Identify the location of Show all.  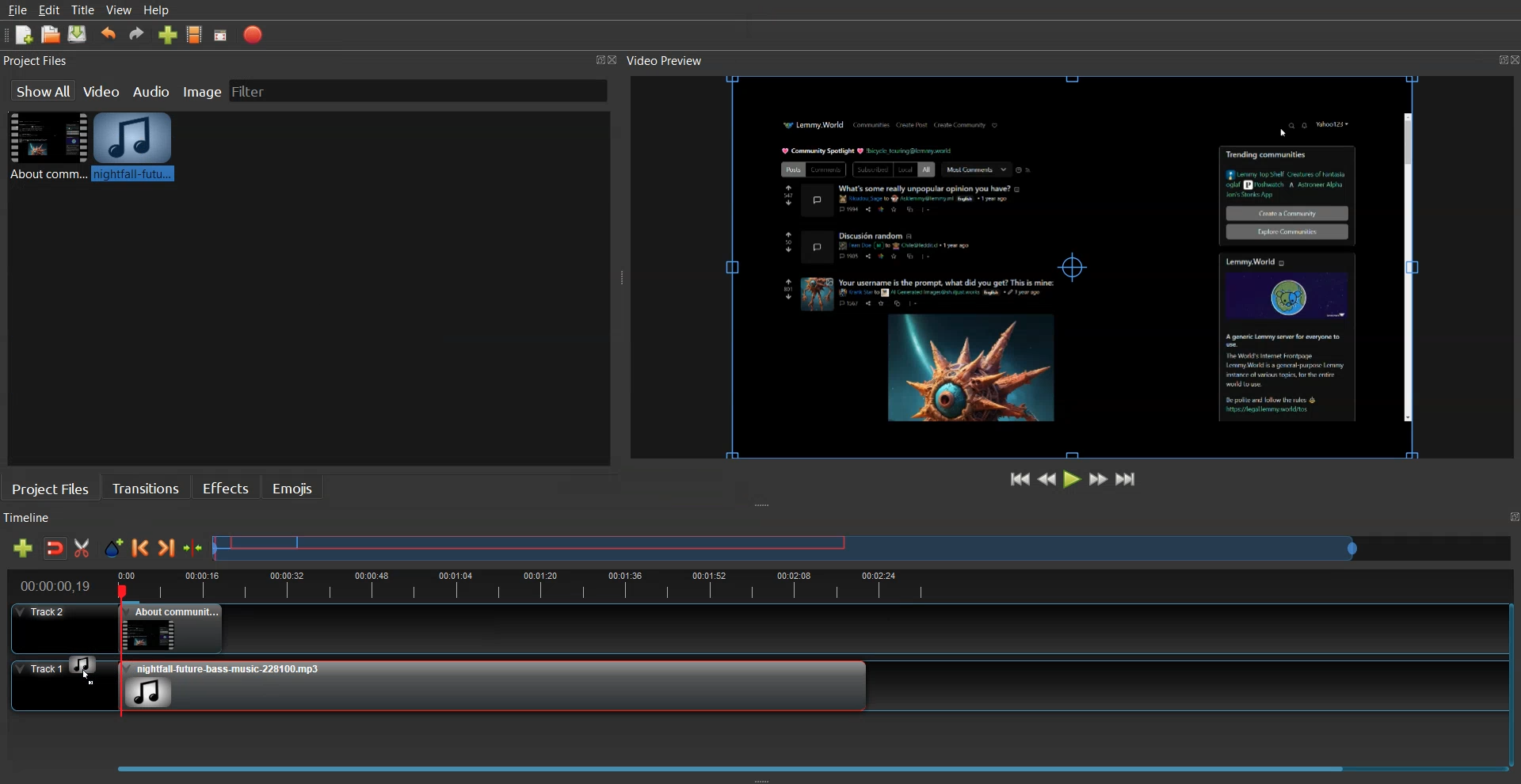
(42, 90).